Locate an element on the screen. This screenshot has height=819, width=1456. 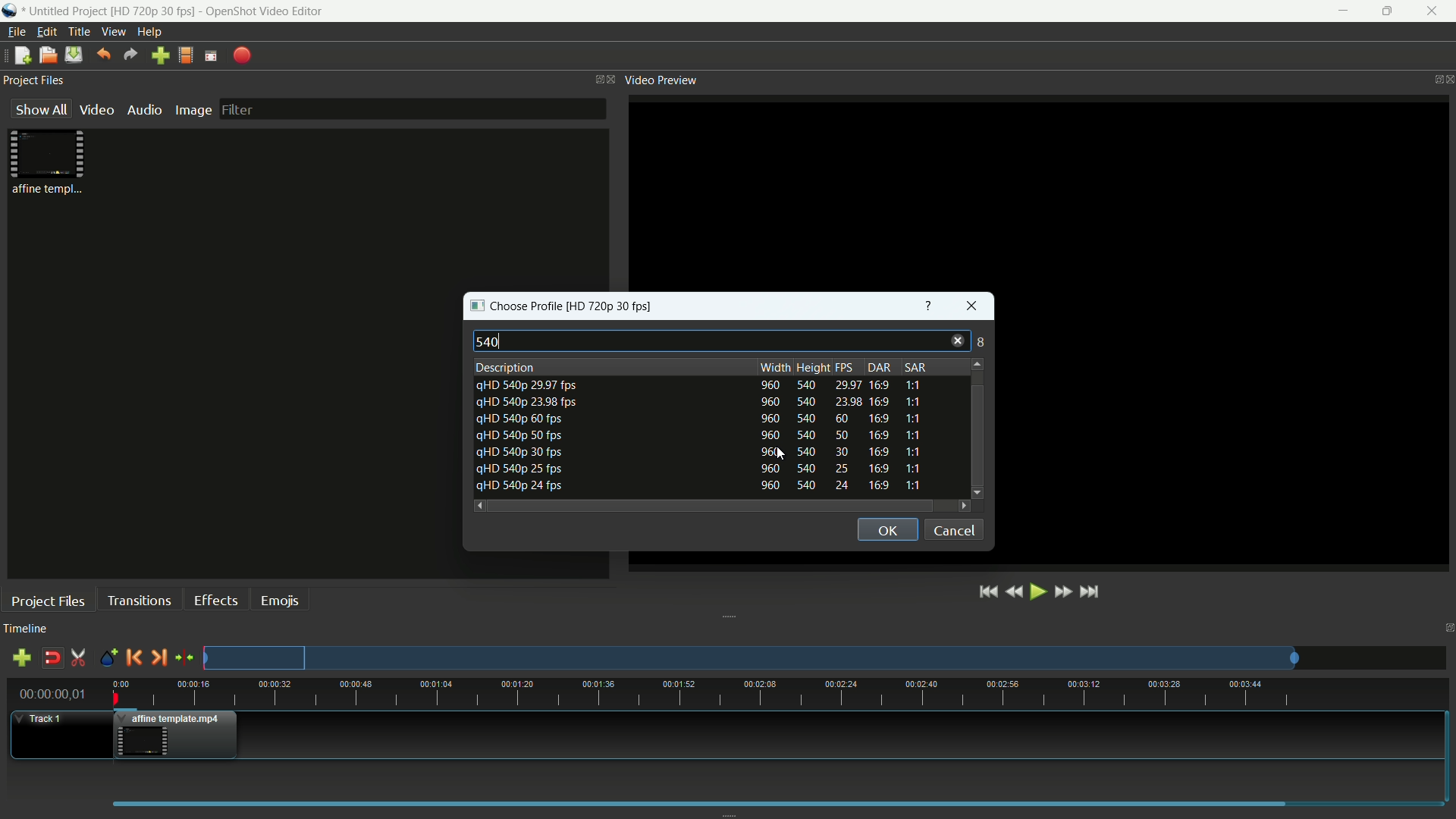
edit menu is located at coordinates (46, 32).